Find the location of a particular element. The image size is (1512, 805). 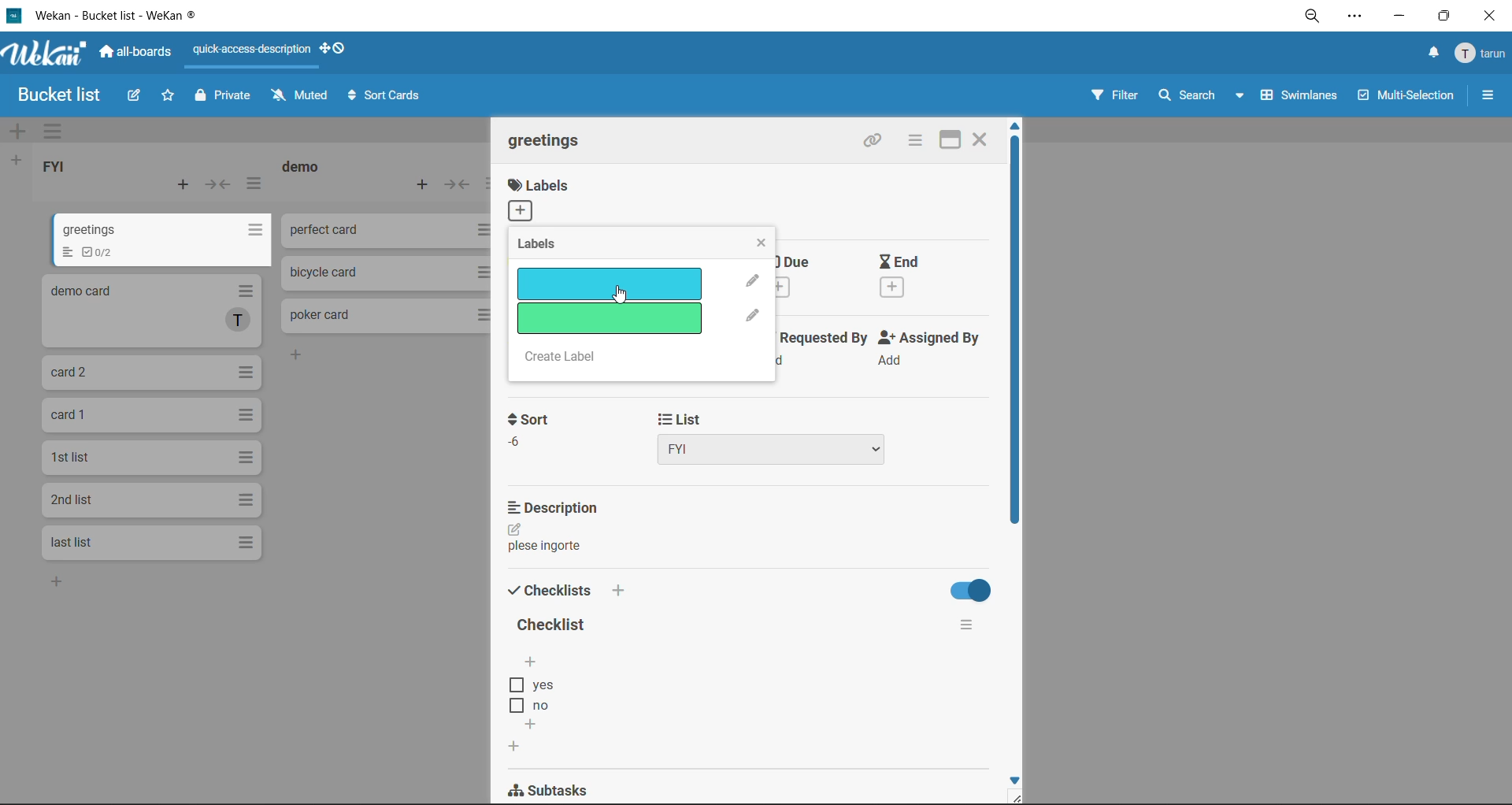

edit is located at coordinates (135, 99).